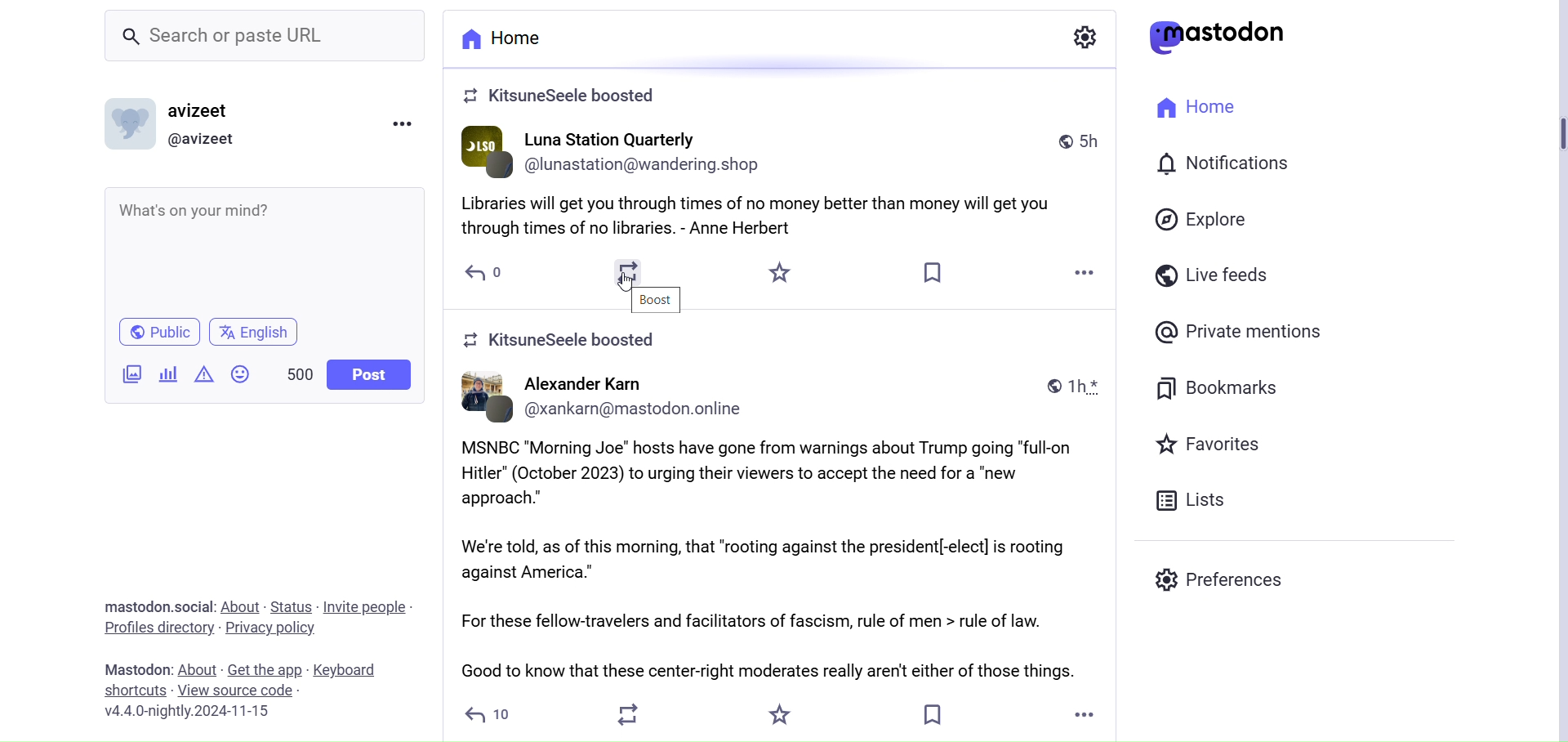 The height and width of the screenshot is (742, 1568). I want to click on cursor, so click(626, 284).